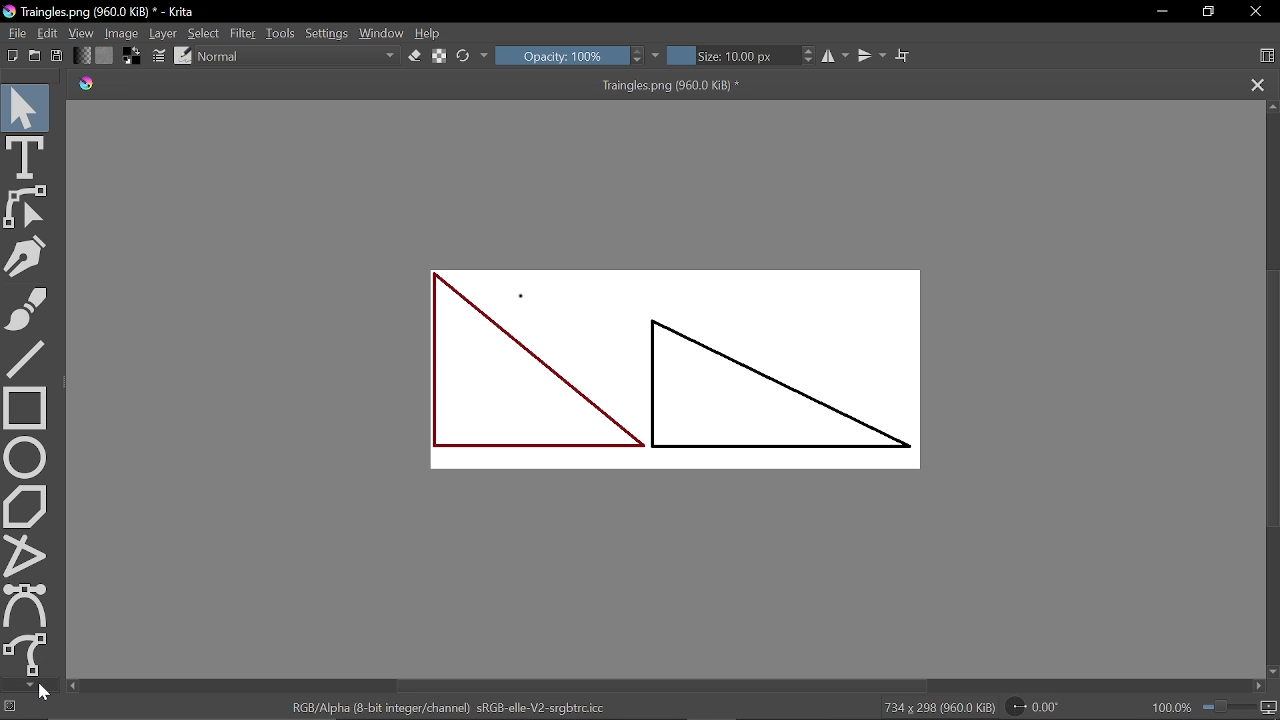 The width and height of the screenshot is (1280, 720). I want to click on edit brush preset, so click(184, 55).